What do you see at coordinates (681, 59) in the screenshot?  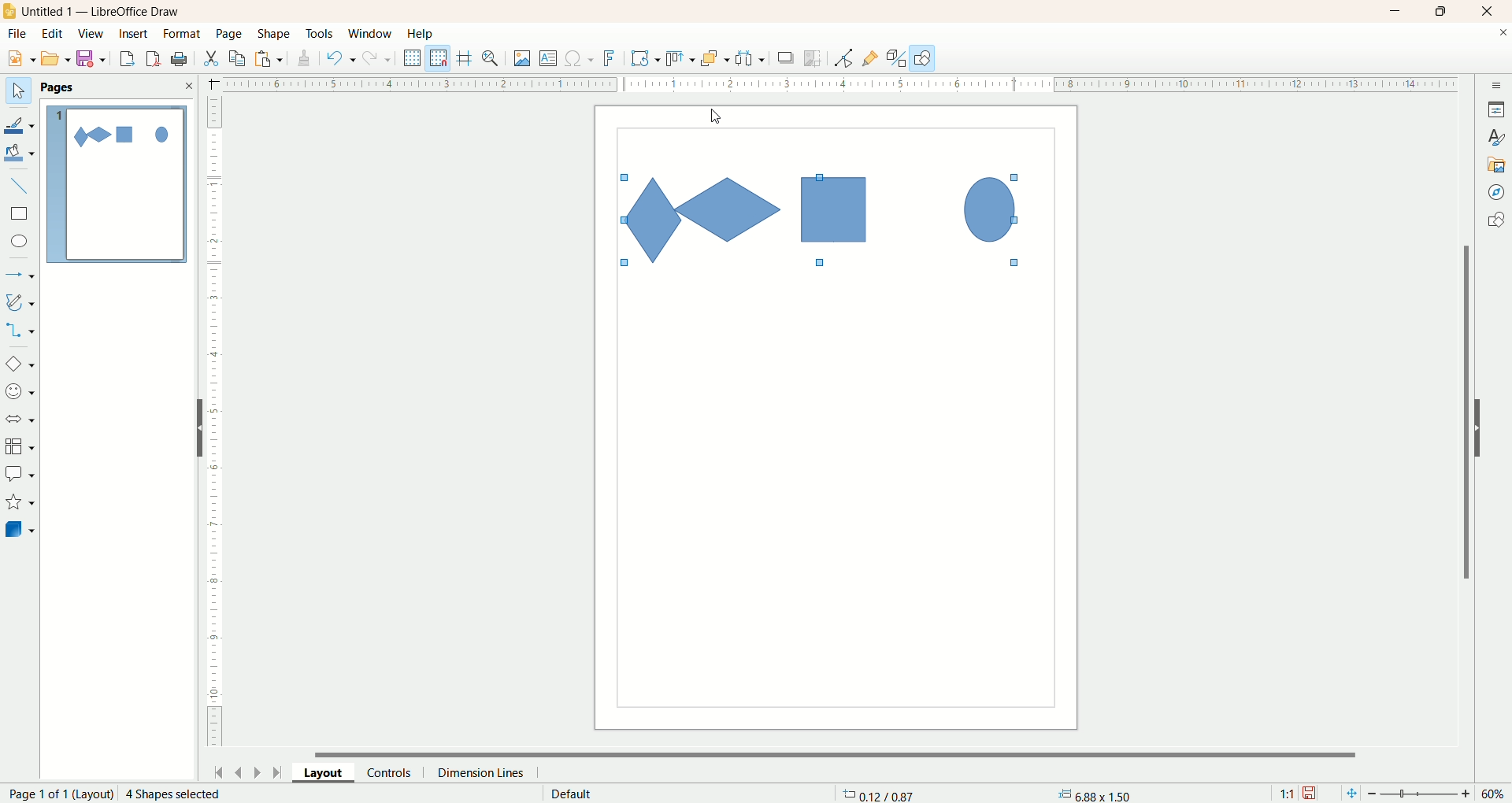 I see `allign object` at bounding box center [681, 59].